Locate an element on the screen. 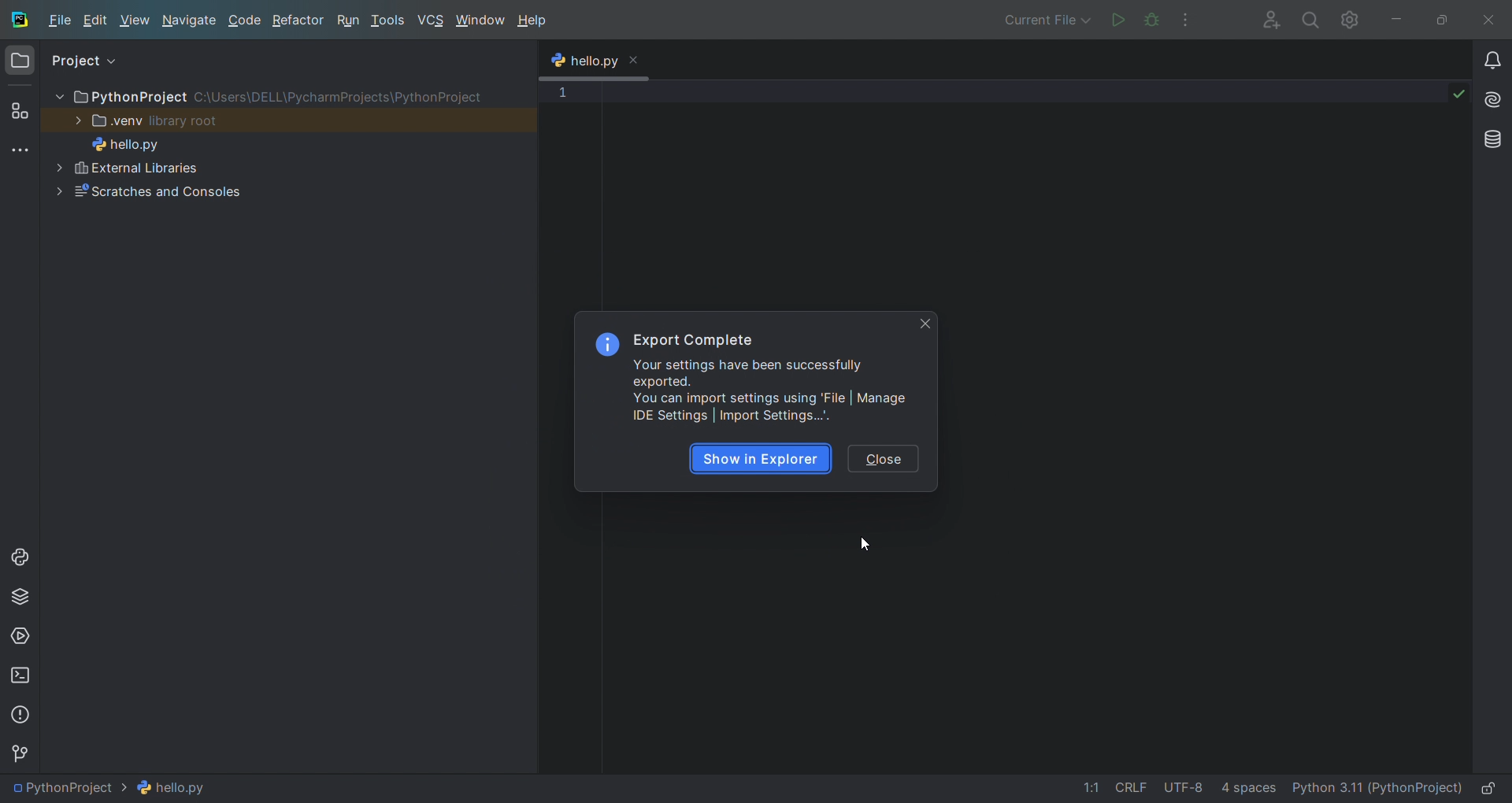 The width and height of the screenshot is (1512, 803). close is located at coordinates (1488, 19).